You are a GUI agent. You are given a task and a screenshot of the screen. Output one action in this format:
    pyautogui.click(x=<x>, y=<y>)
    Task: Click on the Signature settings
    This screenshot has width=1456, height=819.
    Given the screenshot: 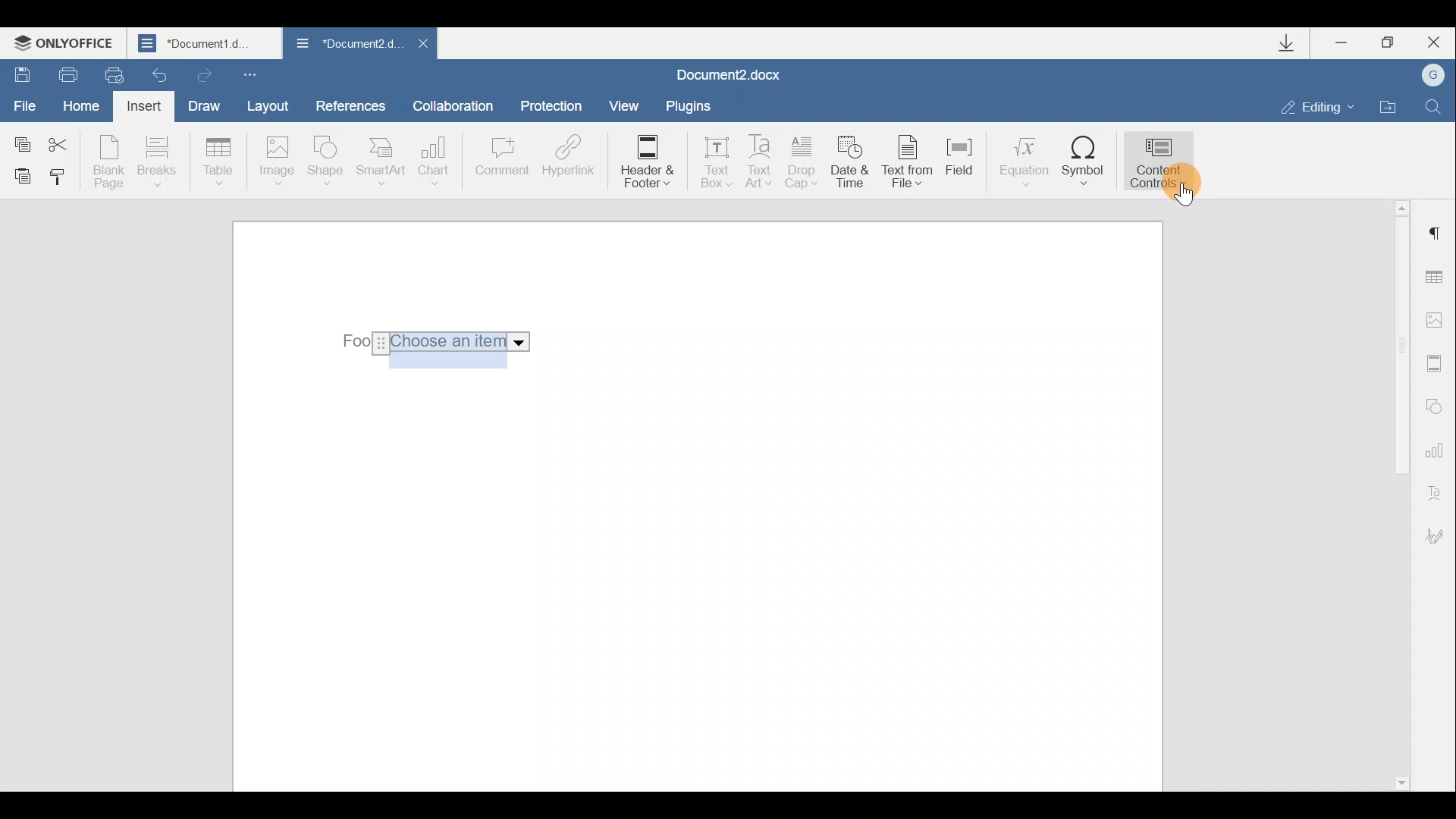 What is the action you would take?
    pyautogui.click(x=1441, y=536)
    